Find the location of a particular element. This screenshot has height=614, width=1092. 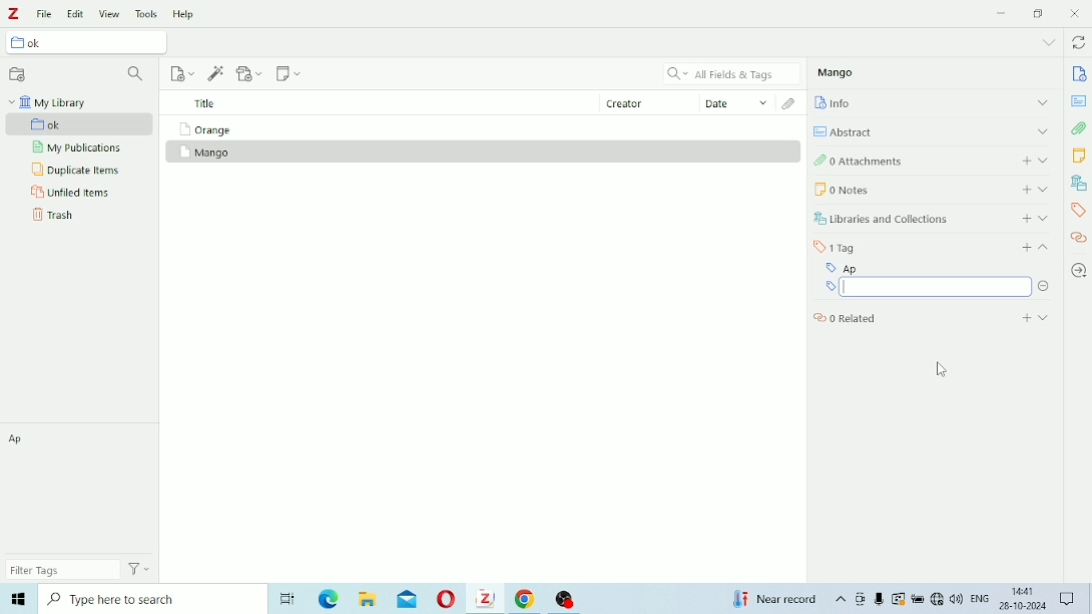

New Note is located at coordinates (289, 74).